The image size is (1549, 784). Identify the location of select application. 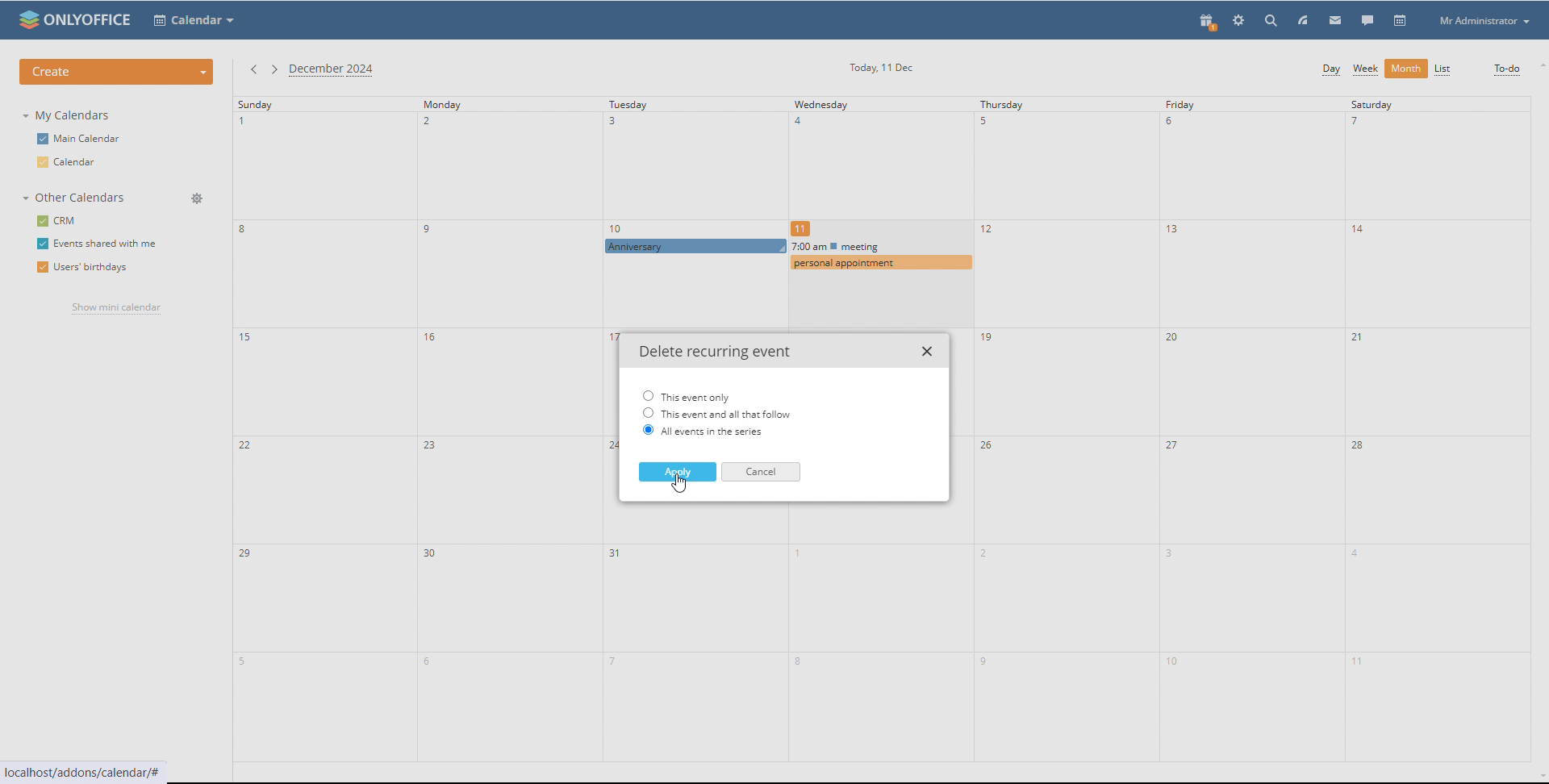
(194, 21).